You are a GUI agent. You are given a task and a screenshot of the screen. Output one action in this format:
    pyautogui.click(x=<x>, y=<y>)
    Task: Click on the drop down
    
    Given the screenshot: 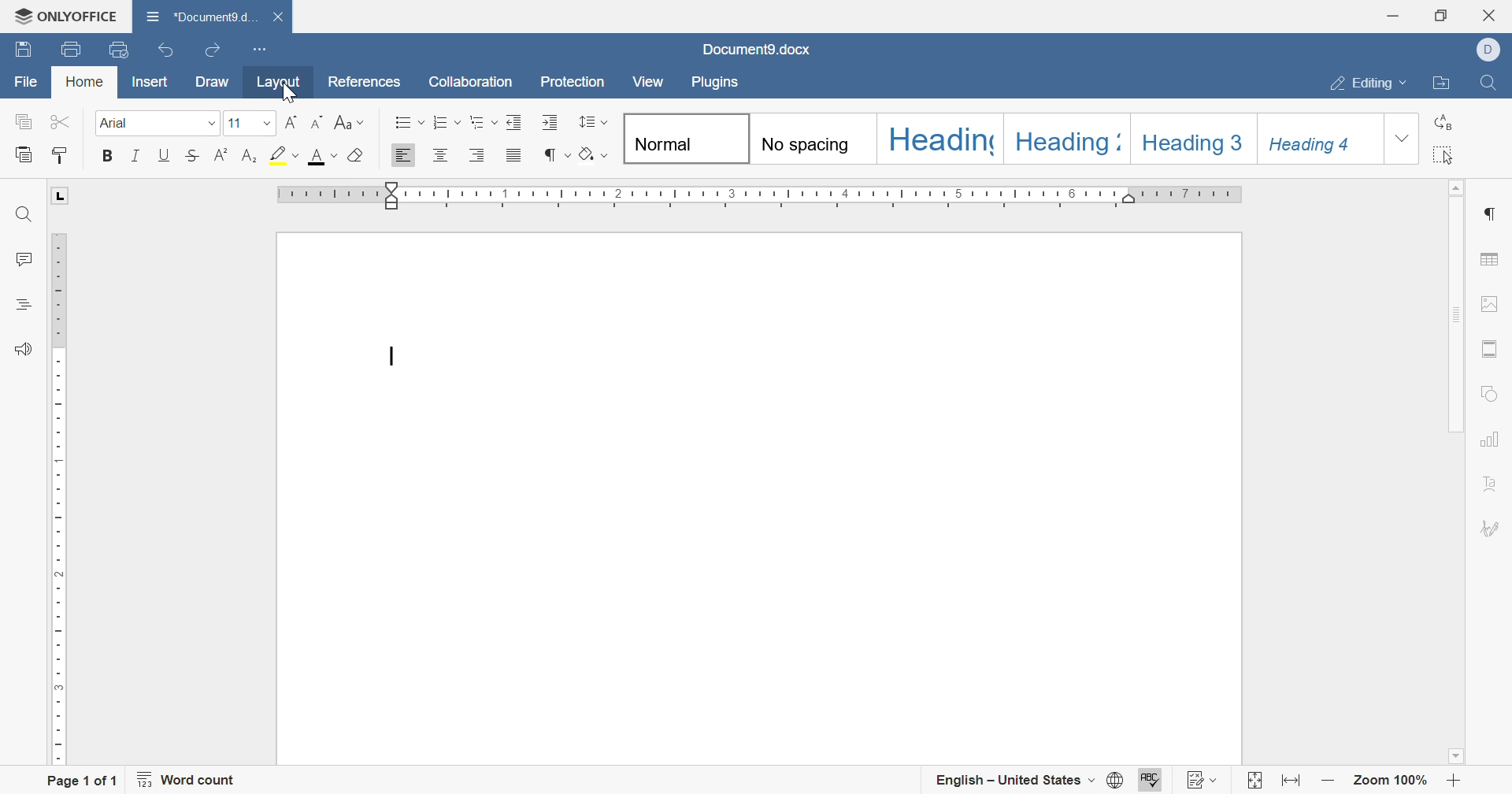 What is the action you would take?
    pyautogui.click(x=1403, y=137)
    